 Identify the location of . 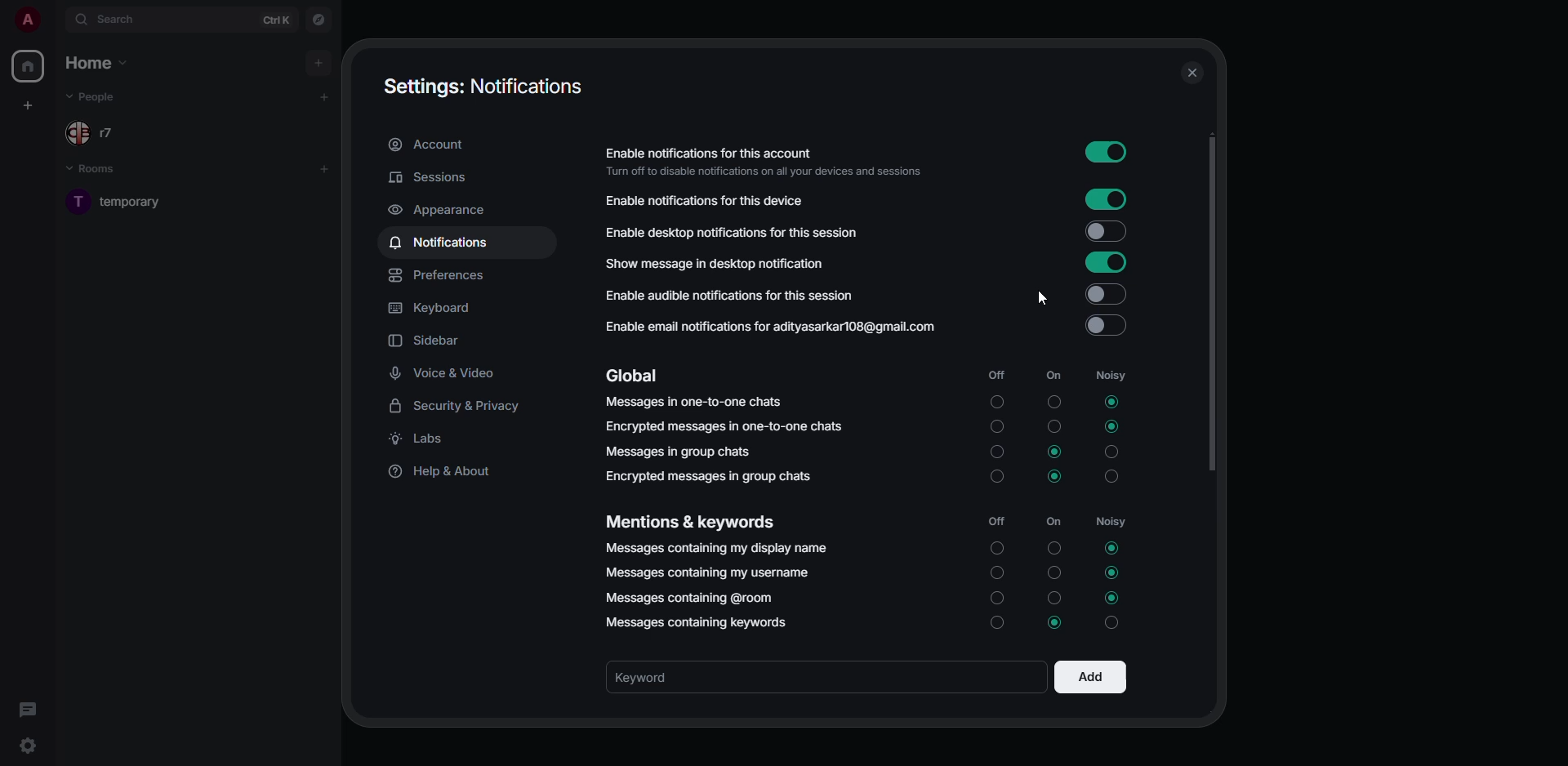
(1108, 623).